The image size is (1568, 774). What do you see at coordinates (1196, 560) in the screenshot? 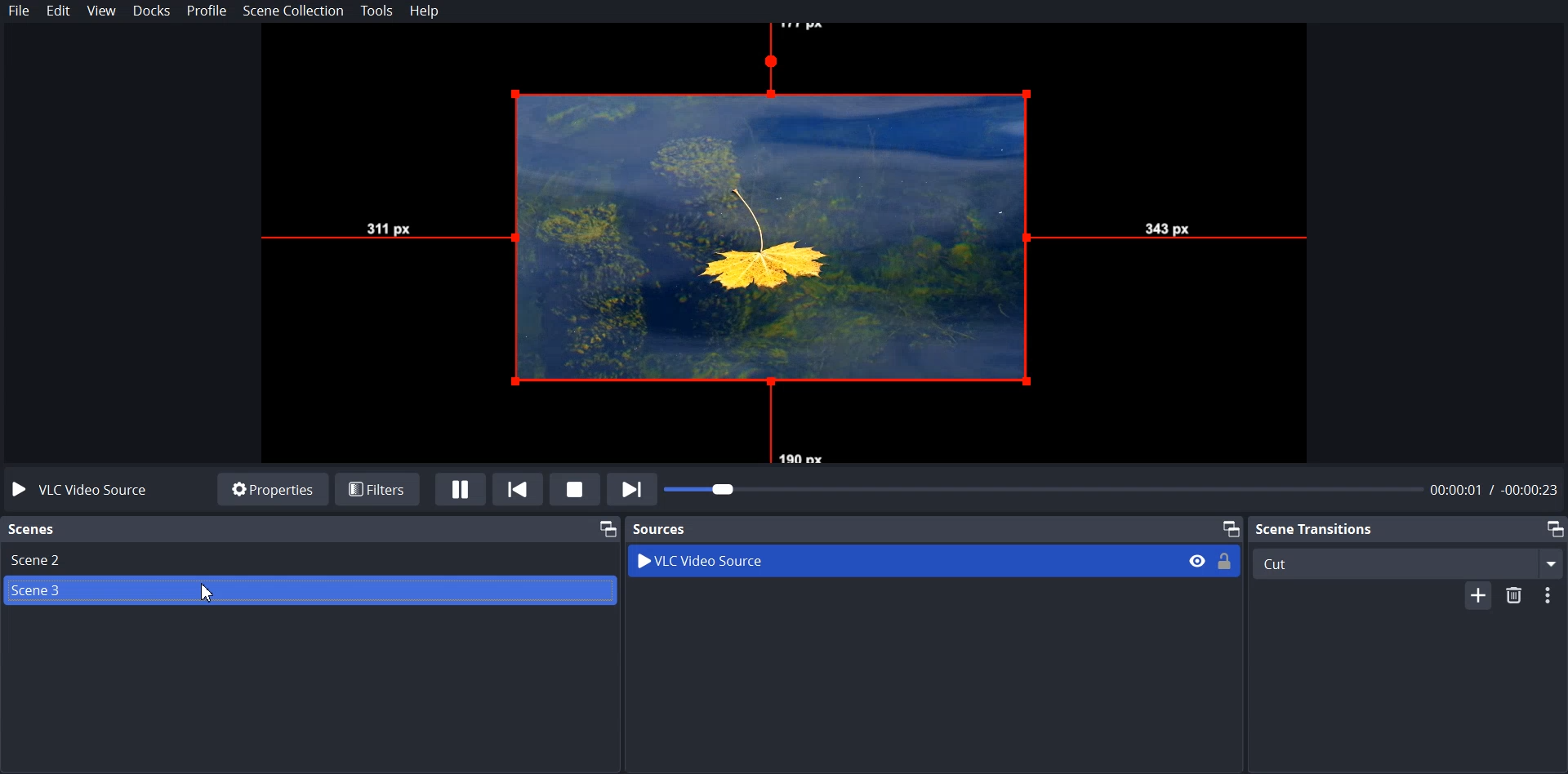
I see `Eye` at bounding box center [1196, 560].